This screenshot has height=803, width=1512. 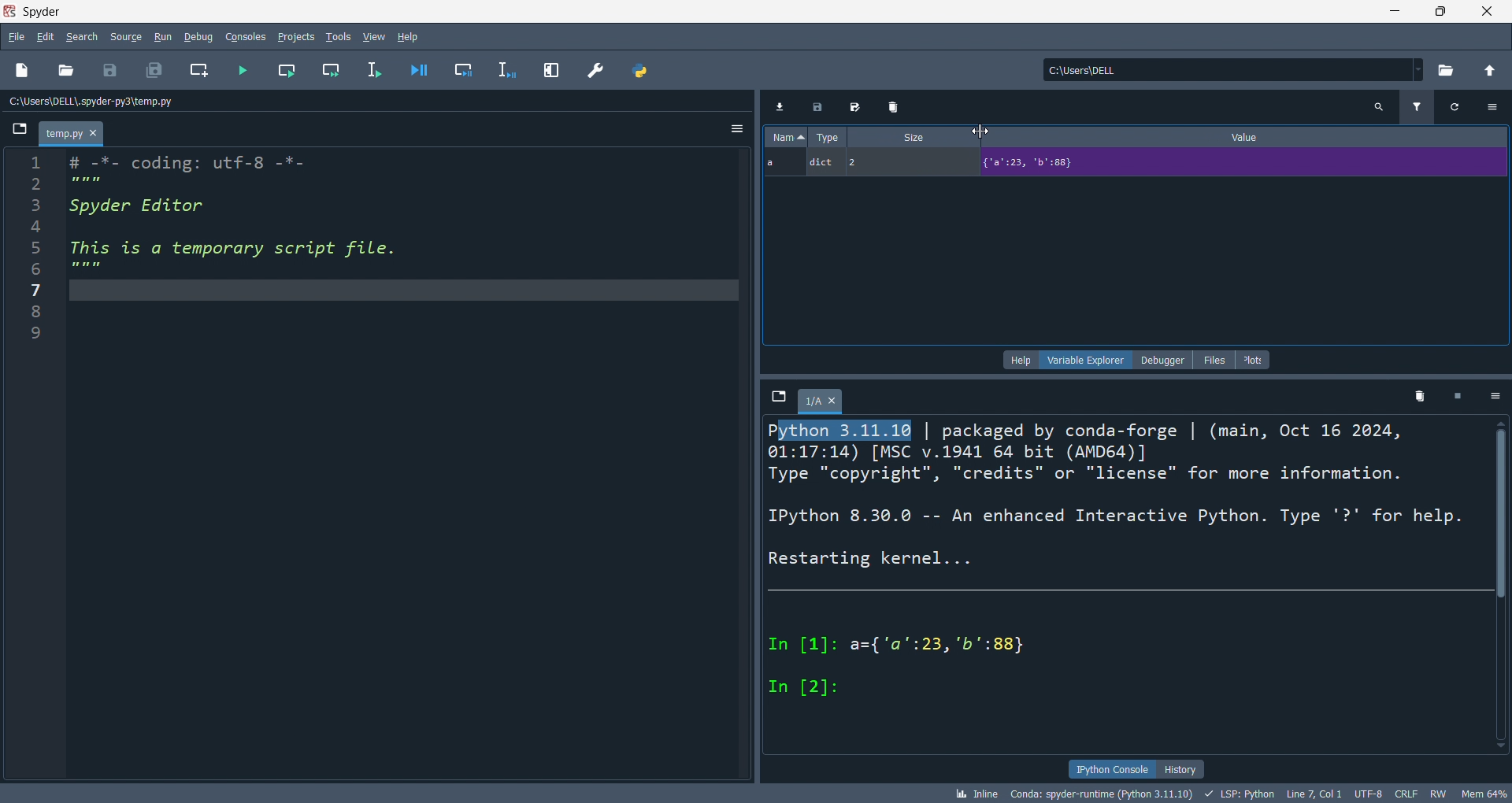 What do you see at coordinates (46, 37) in the screenshot?
I see `edti` at bounding box center [46, 37].